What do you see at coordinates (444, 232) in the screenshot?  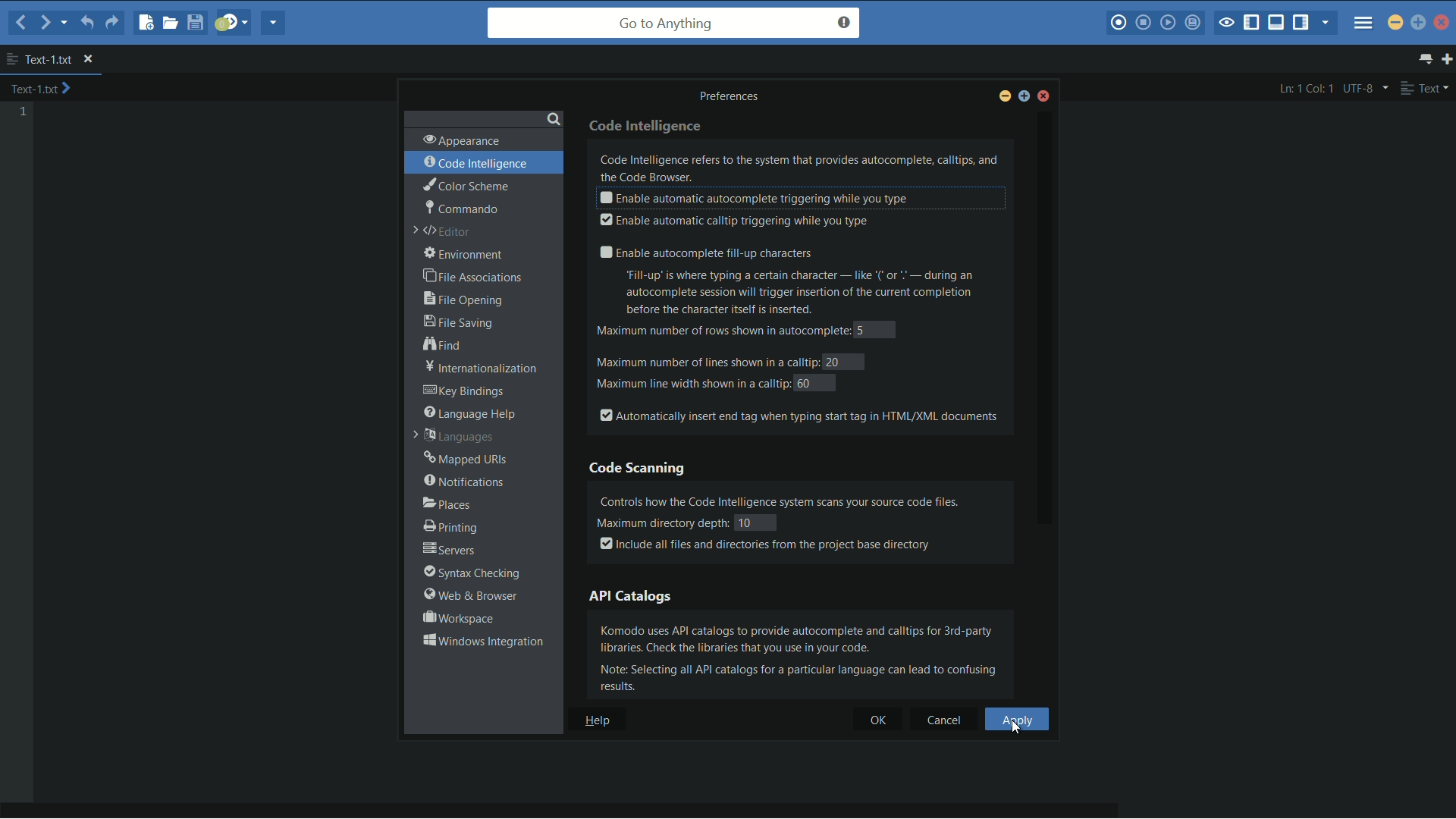 I see `editor` at bounding box center [444, 232].